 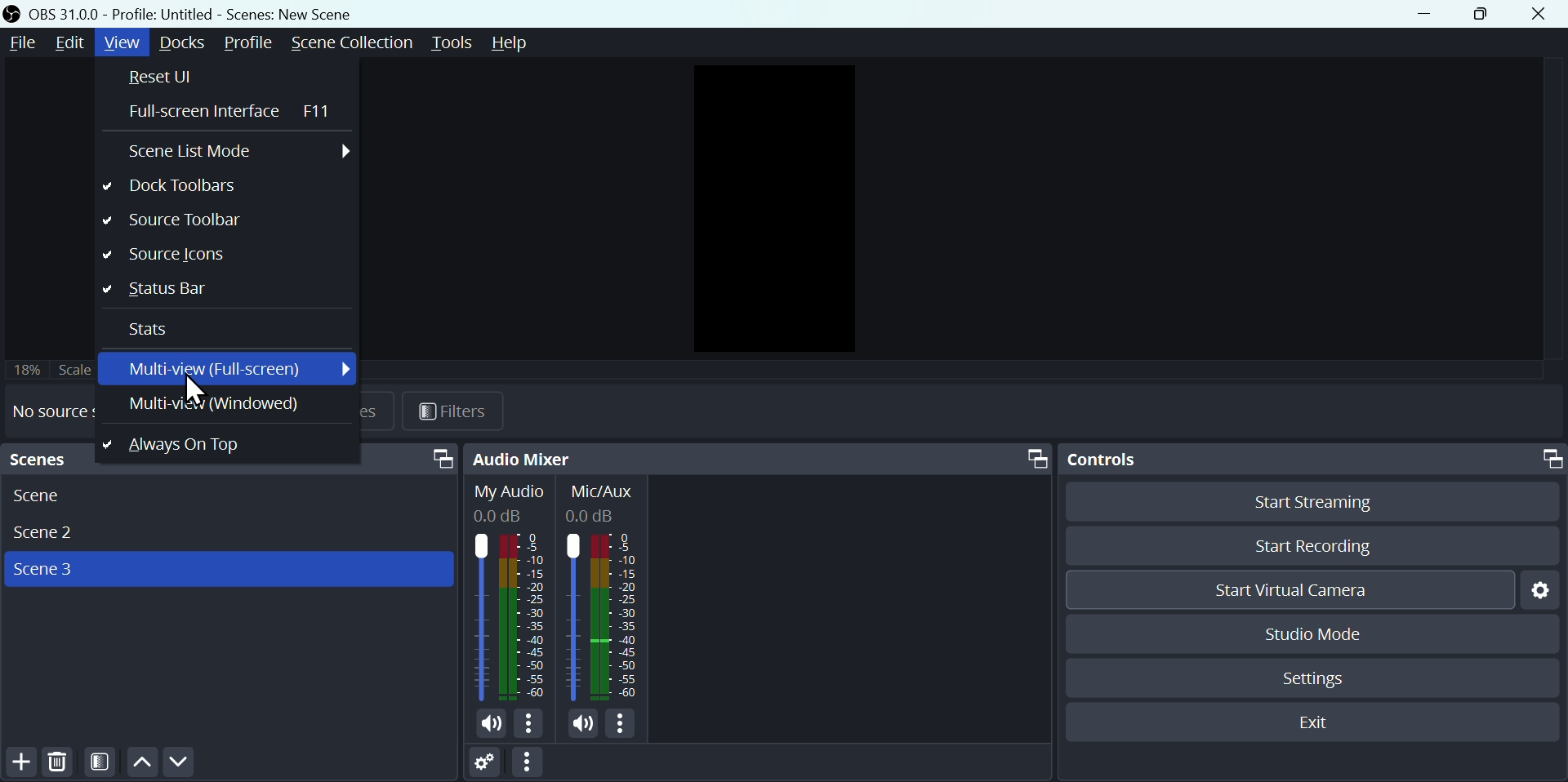 I want to click on Tools, so click(x=452, y=42).